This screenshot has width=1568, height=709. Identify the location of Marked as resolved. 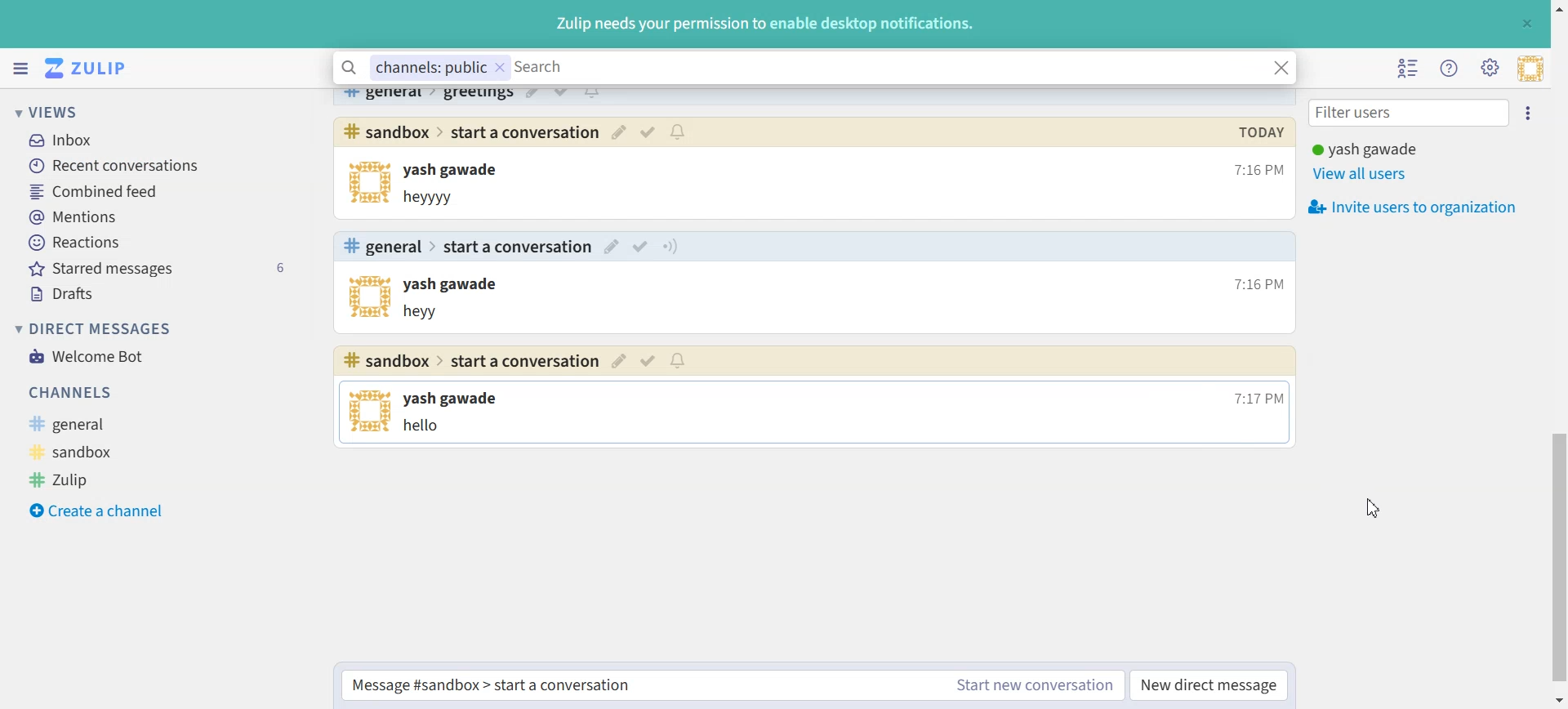
(643, 247).